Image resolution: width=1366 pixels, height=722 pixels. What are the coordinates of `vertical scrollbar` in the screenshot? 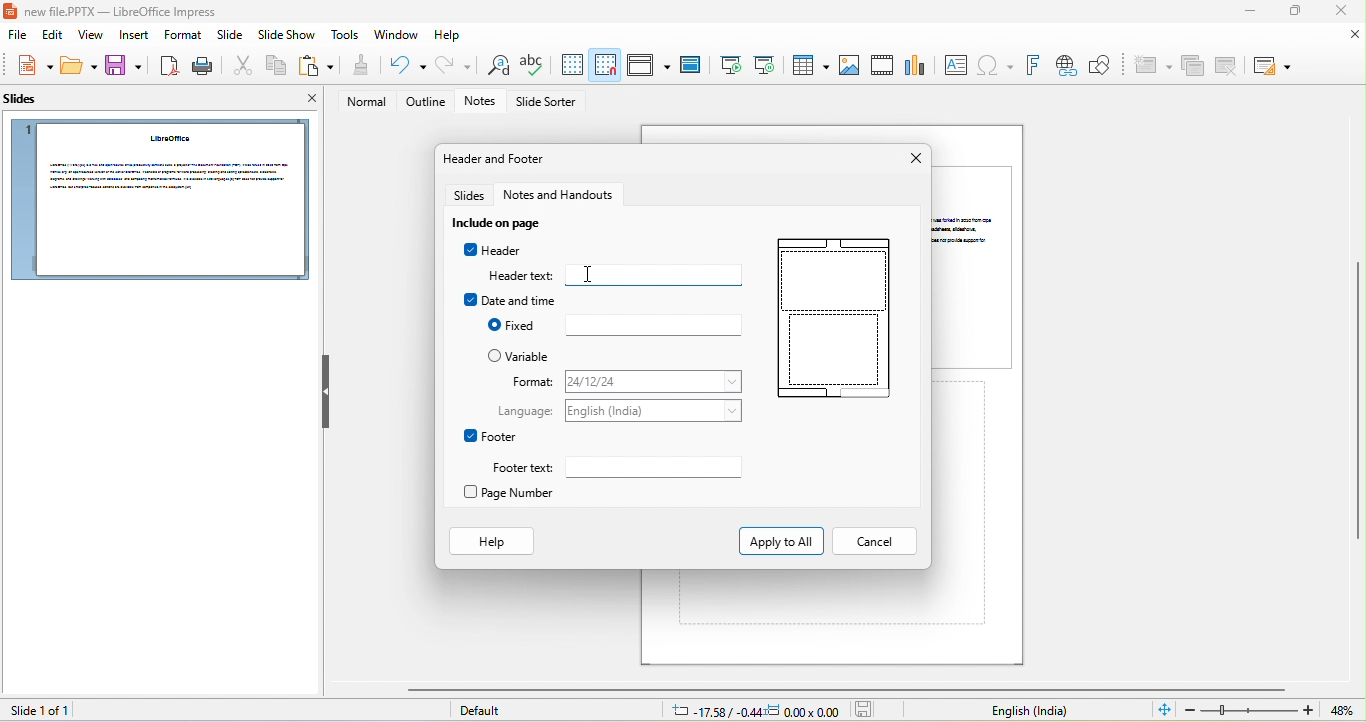 It's located at (1357, 402).